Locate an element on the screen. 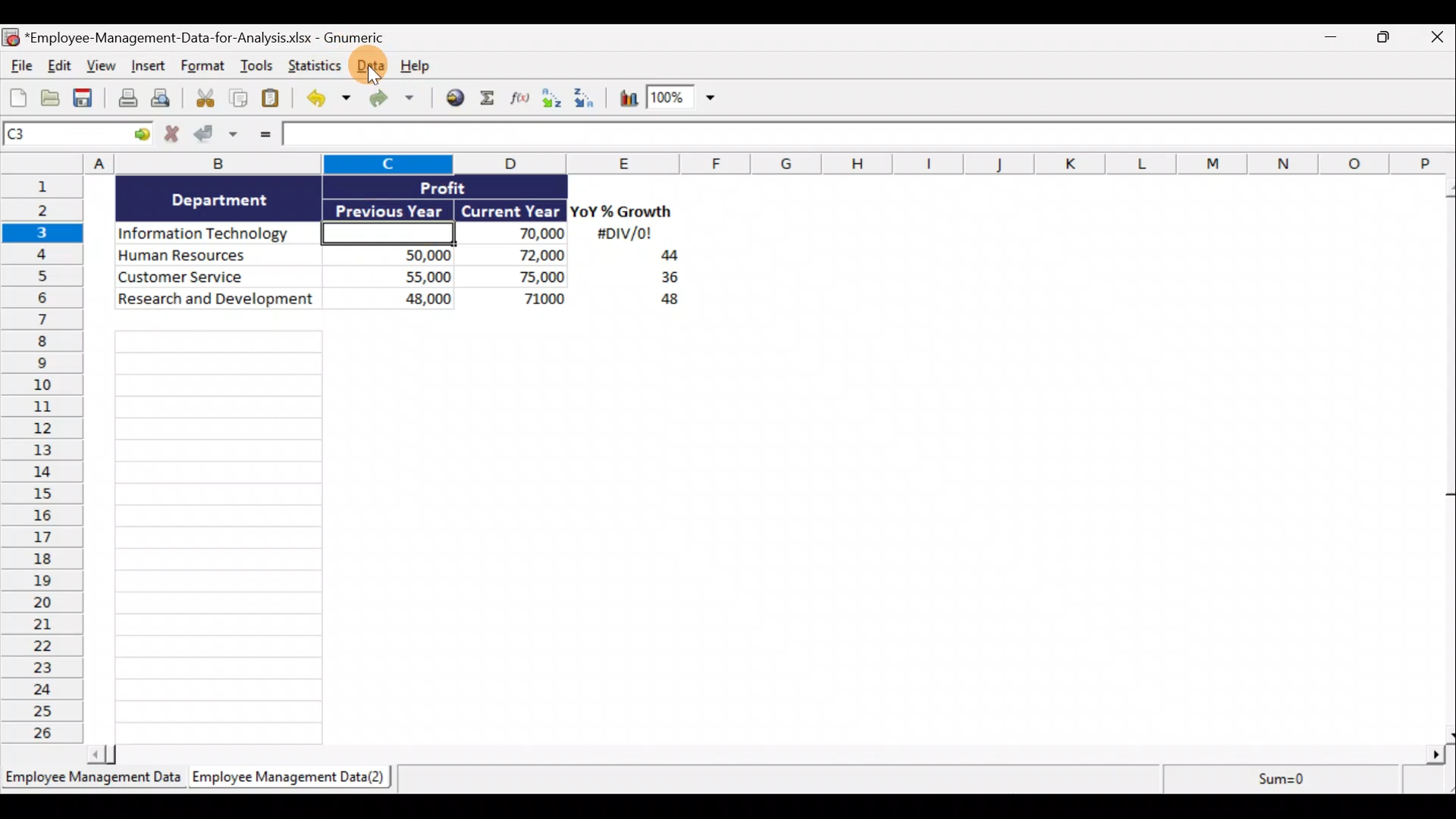 The image size is (1456, 819). Tools is located at coordinates (257, 67).